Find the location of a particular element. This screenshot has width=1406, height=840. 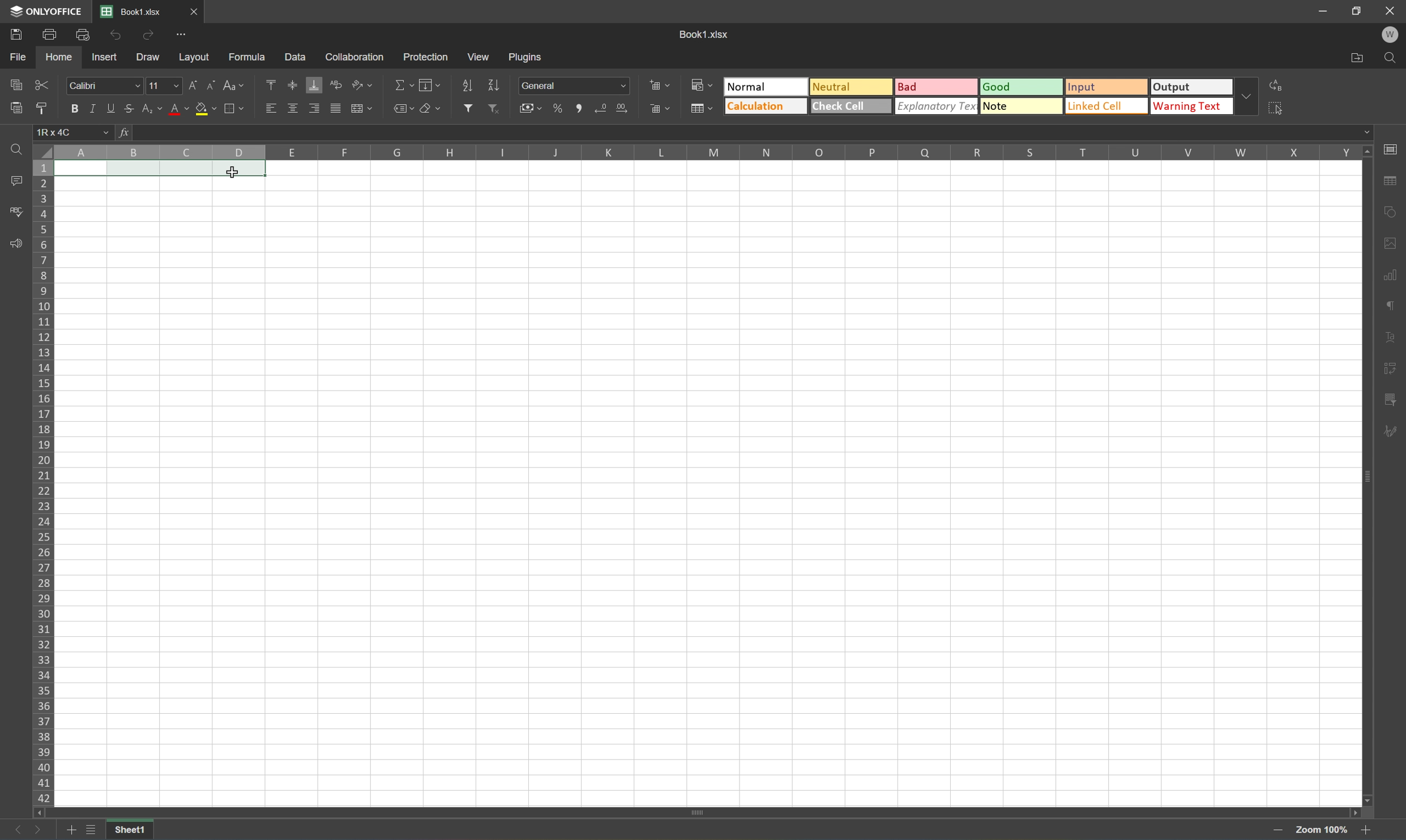

Add sheets is located at coordinates (71, 832).